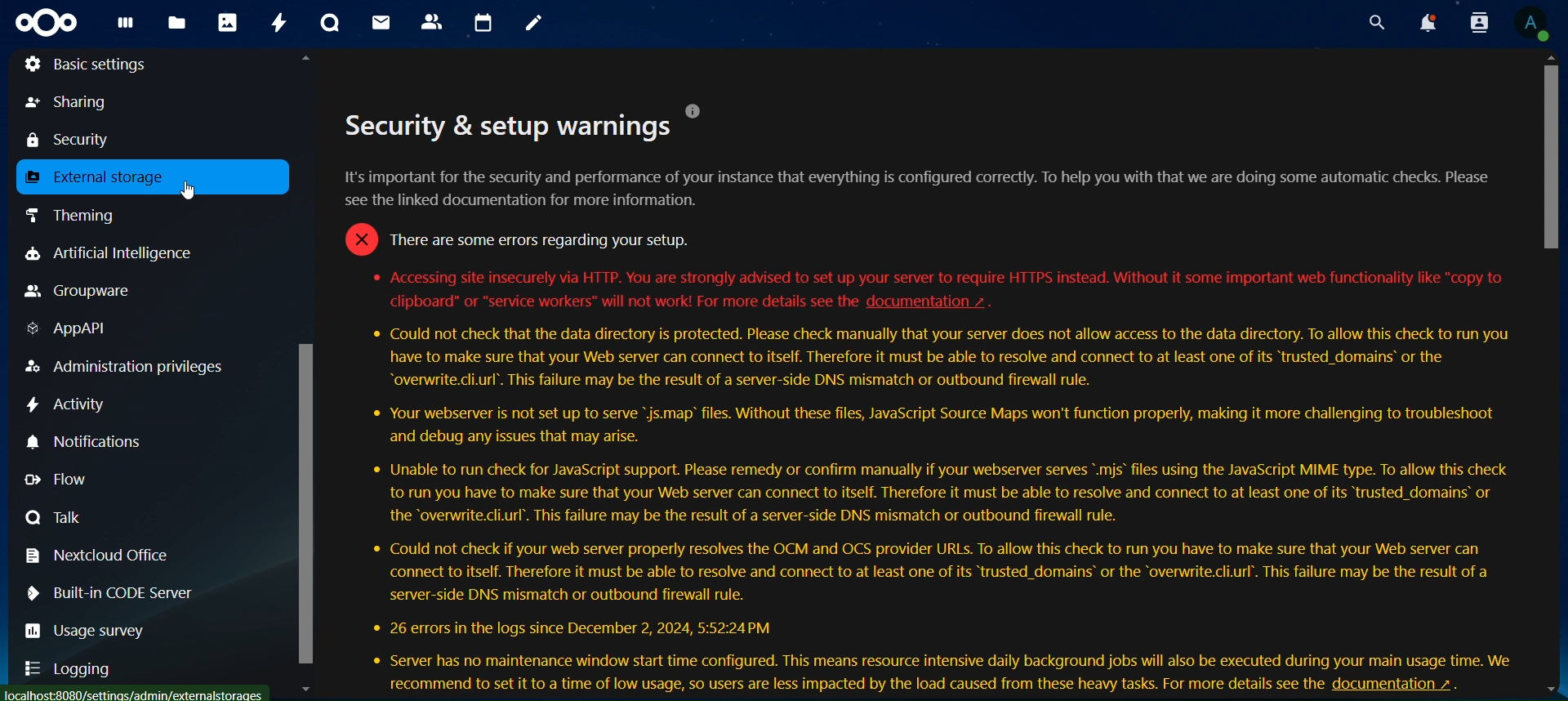 This screenshot has height=701, width=1568. What do you see at coordinates (87, 64) in the screenshot?
I see `basic settings` at bounding box center [87, 64].